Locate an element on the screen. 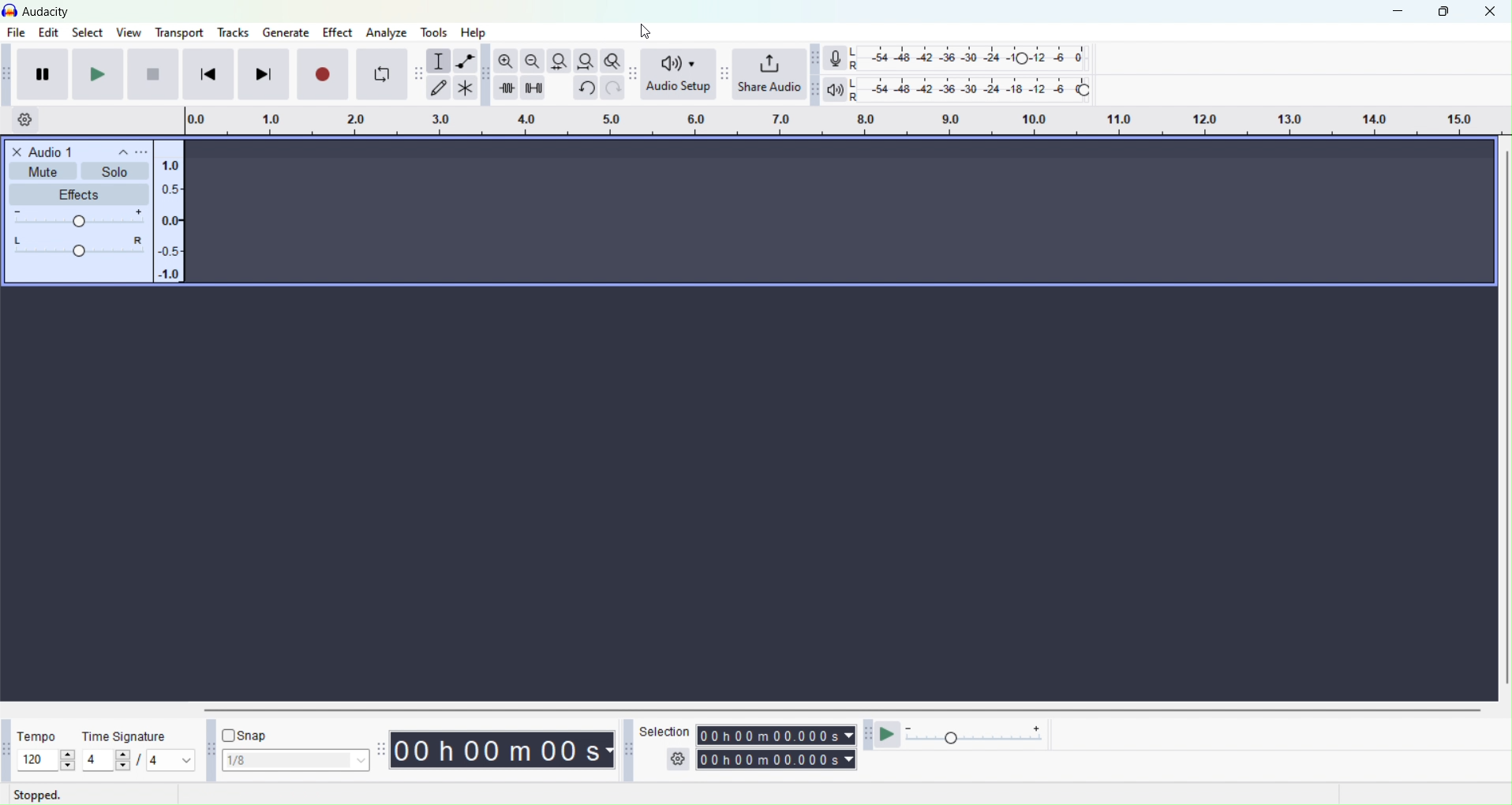 This screenshot has width=1512, height=805. Playback meter is located at coordinates (836, 89).